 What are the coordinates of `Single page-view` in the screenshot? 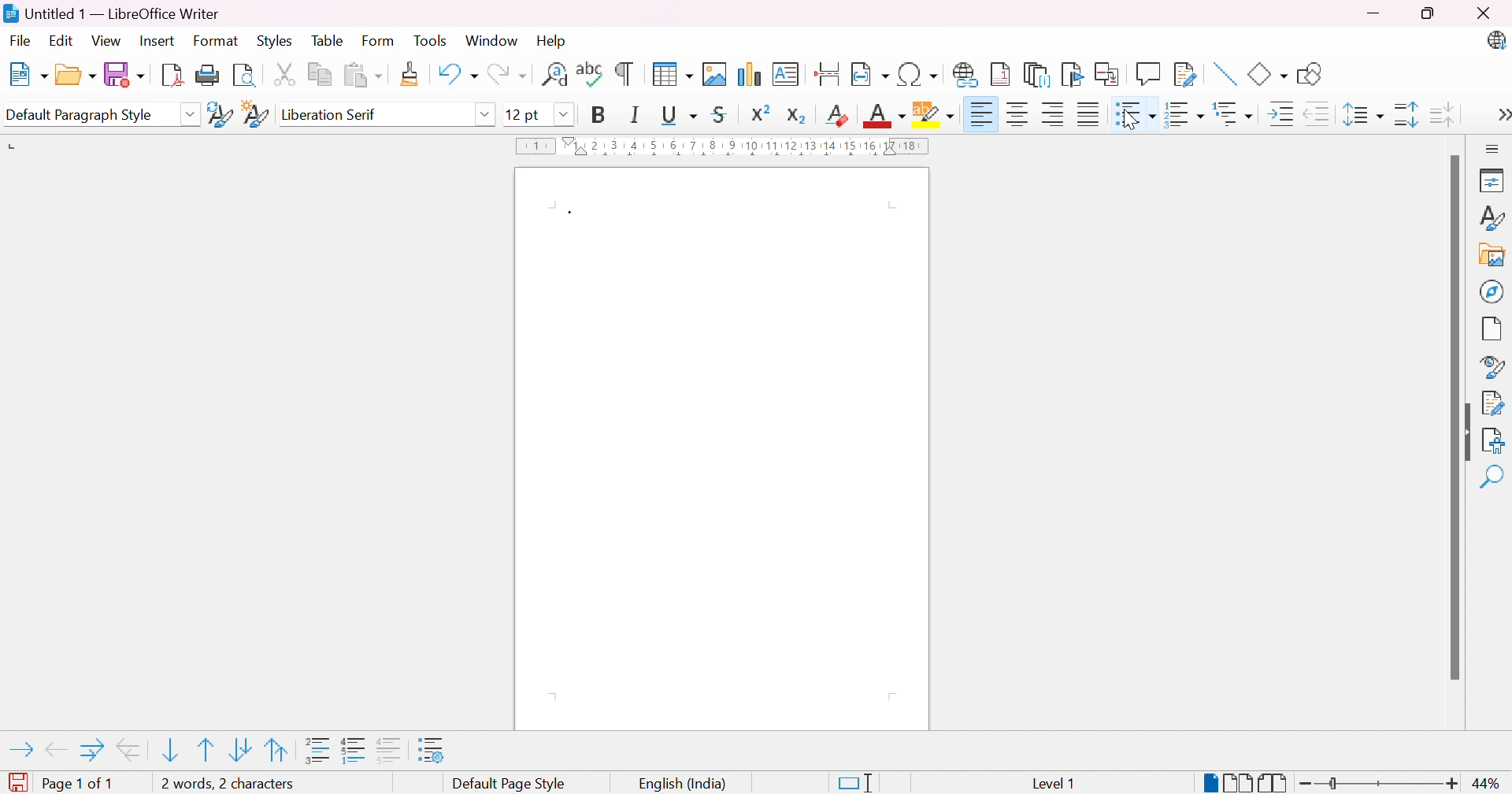 It's located at (1209, 784).